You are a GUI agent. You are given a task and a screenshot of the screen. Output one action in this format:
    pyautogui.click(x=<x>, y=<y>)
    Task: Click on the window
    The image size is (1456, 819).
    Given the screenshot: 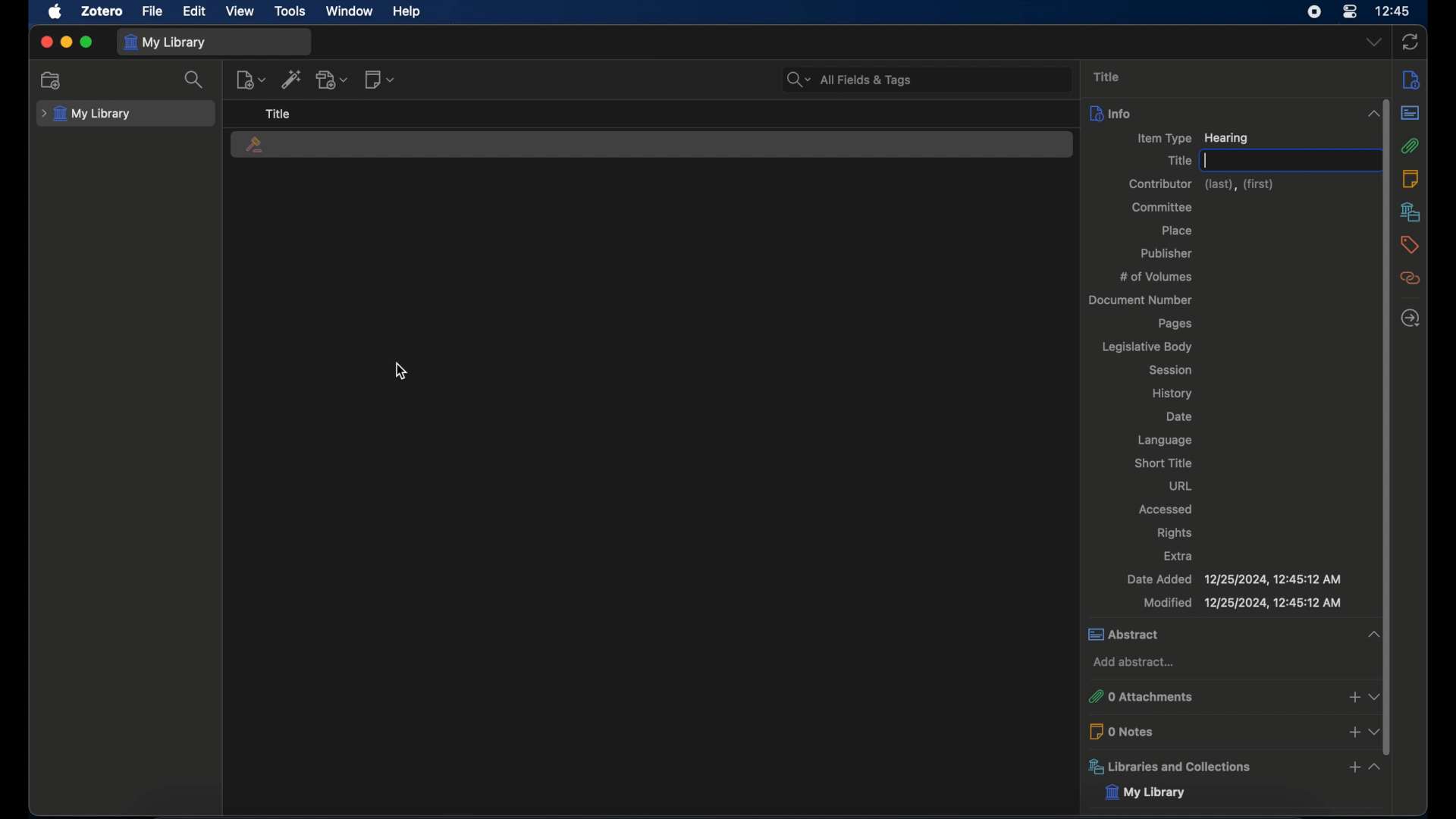 What is the action you would take?
    pyautogui.click(x=350, y=11)
    